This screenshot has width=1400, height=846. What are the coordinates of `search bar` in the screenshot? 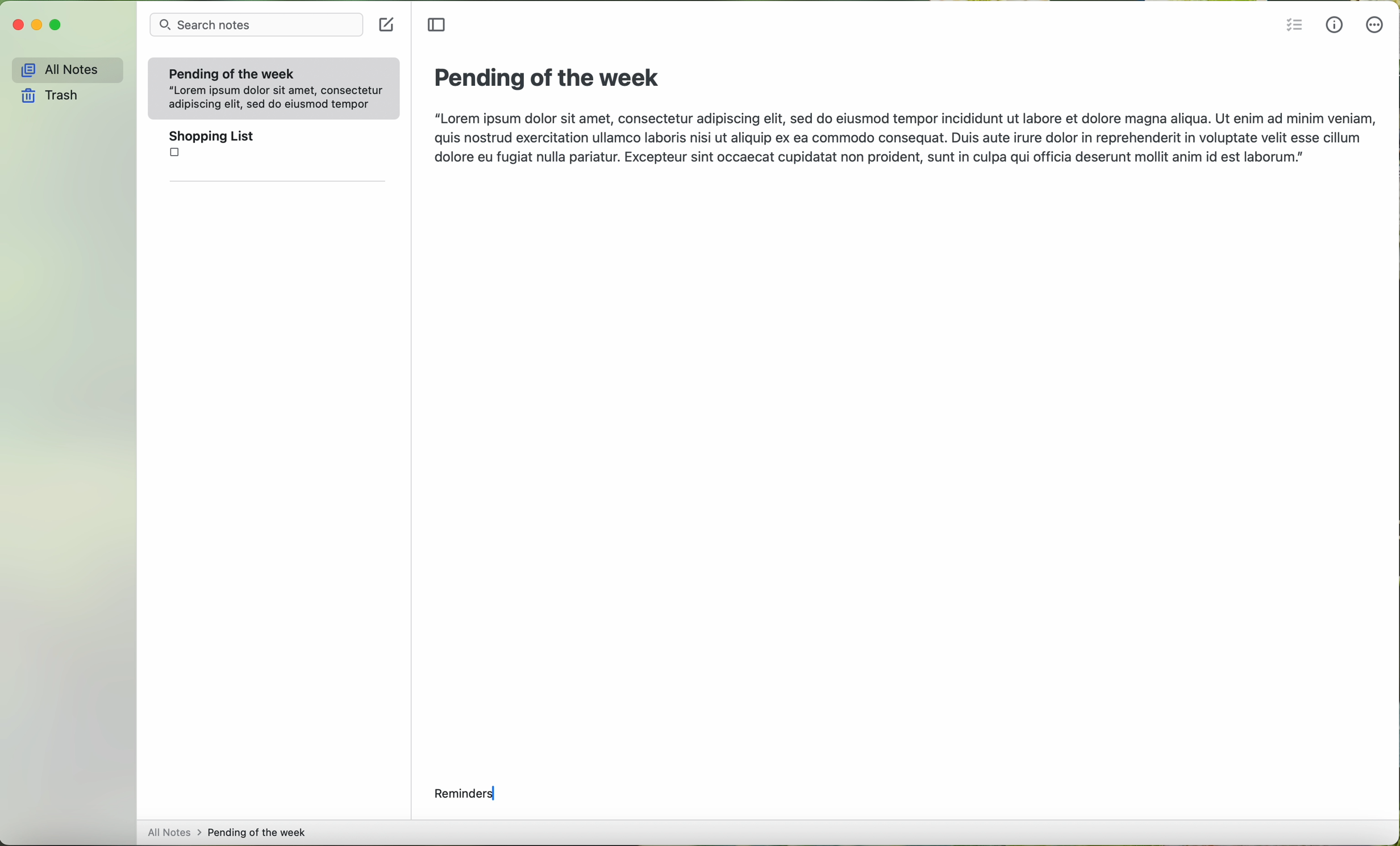 It's located at (260, 26).